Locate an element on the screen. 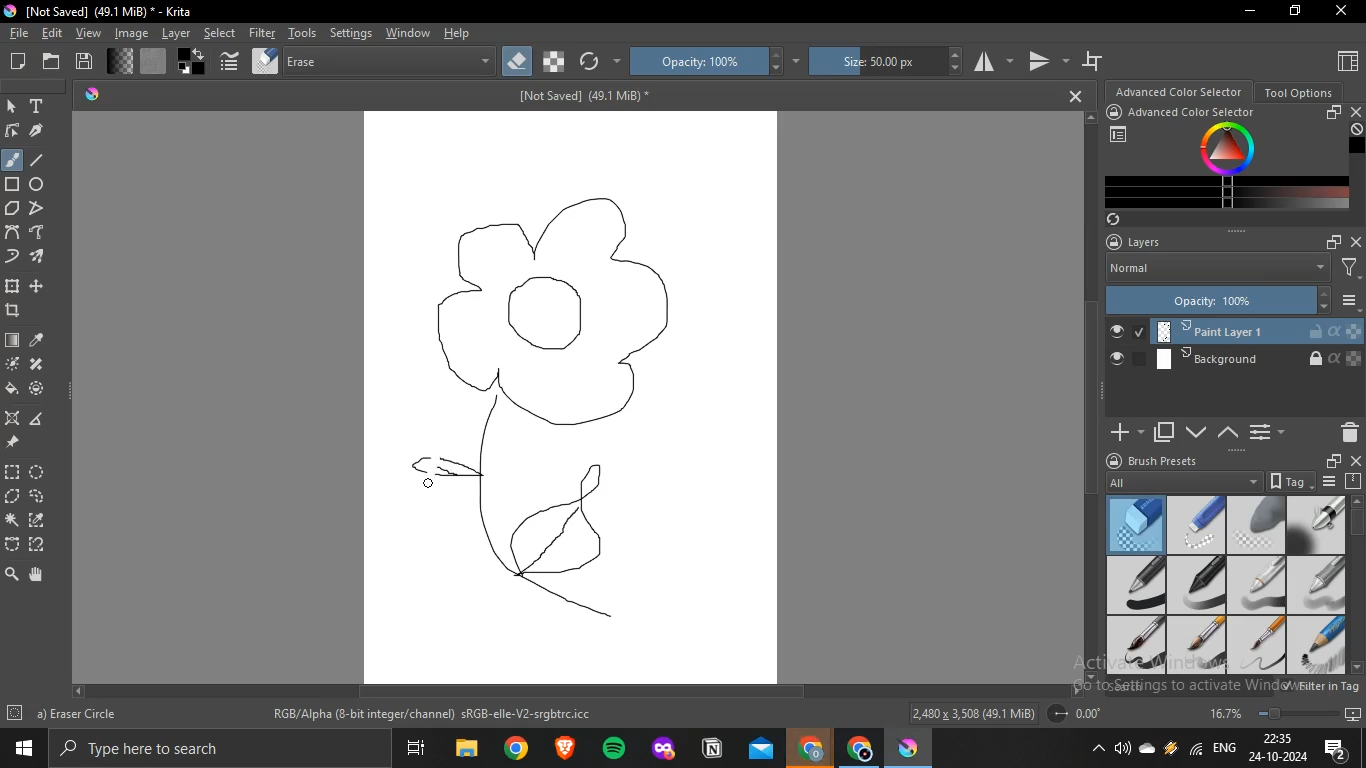 This screenshot has height=768, width=1366. Options is located at coordinates (1330, 481).